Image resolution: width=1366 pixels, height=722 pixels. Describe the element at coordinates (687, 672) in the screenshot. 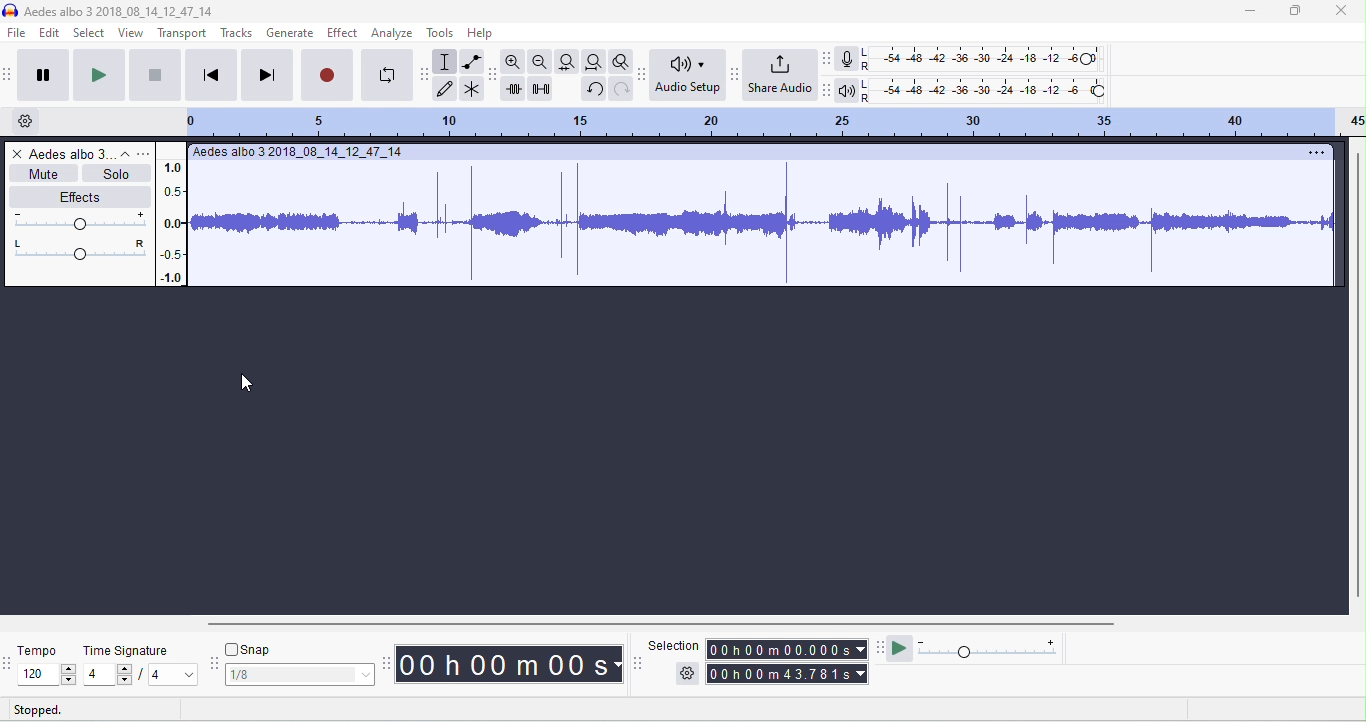

I see `selection options` at that location.